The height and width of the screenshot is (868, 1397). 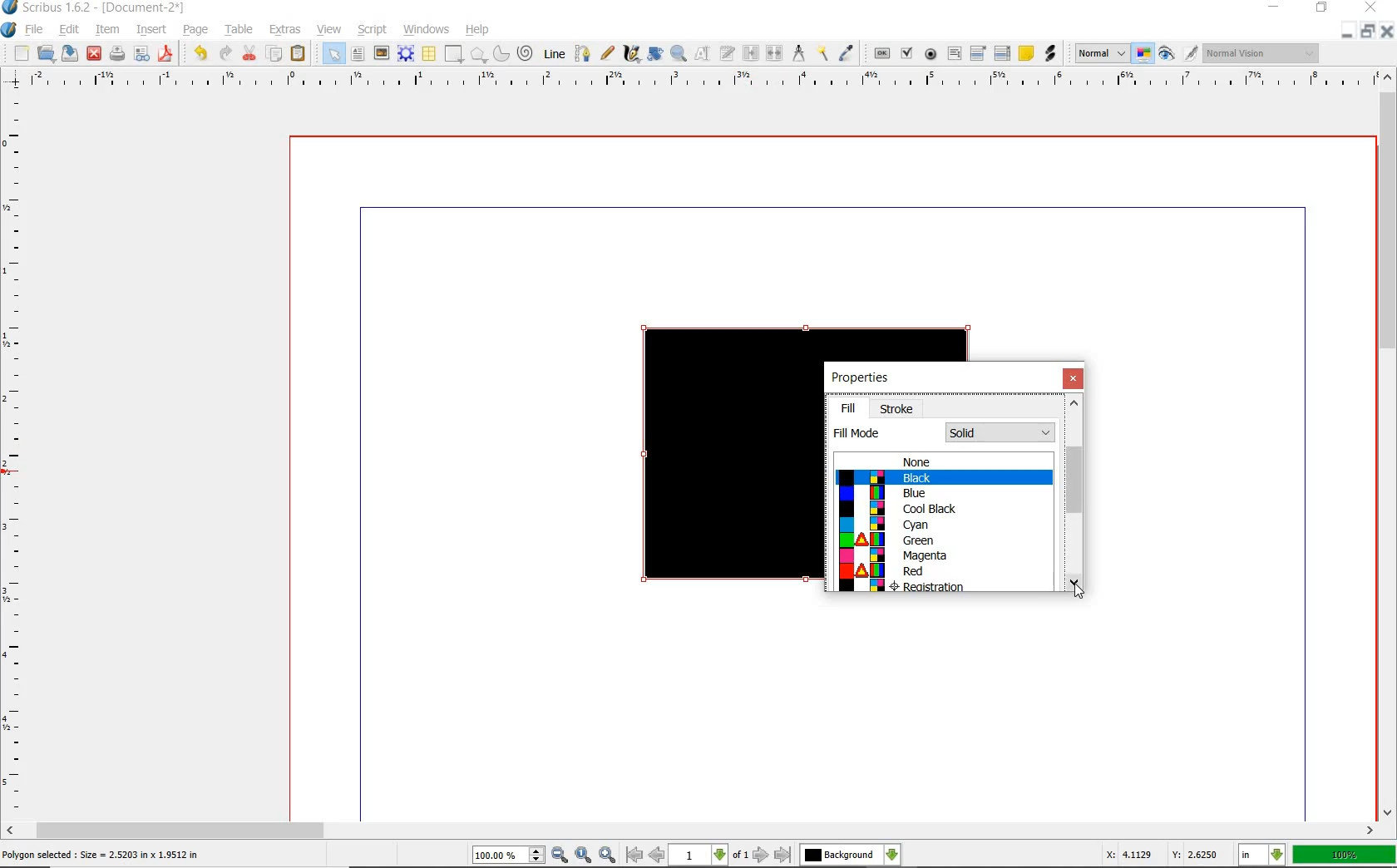 What do you see at coordinates (906, 54) in the screenshot?
I see `pdf check box` at bounding box center [906, 54].